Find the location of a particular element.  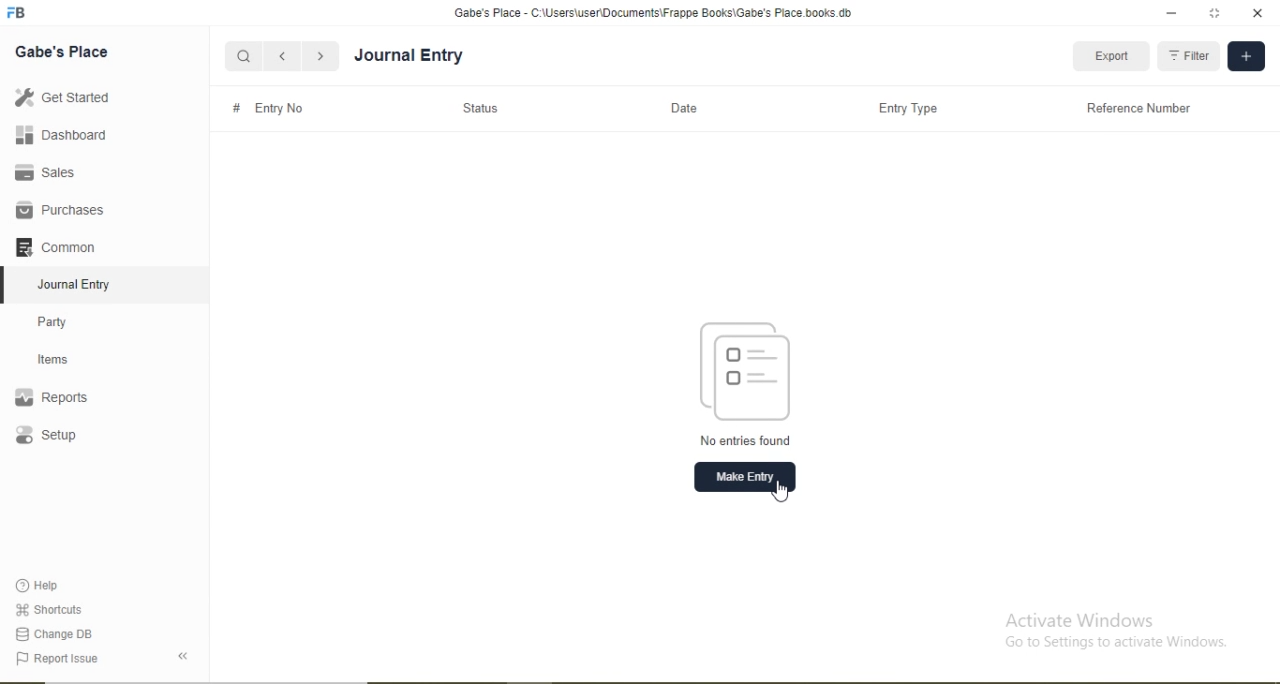

Journal Entry is located at coordinates (80, 282).